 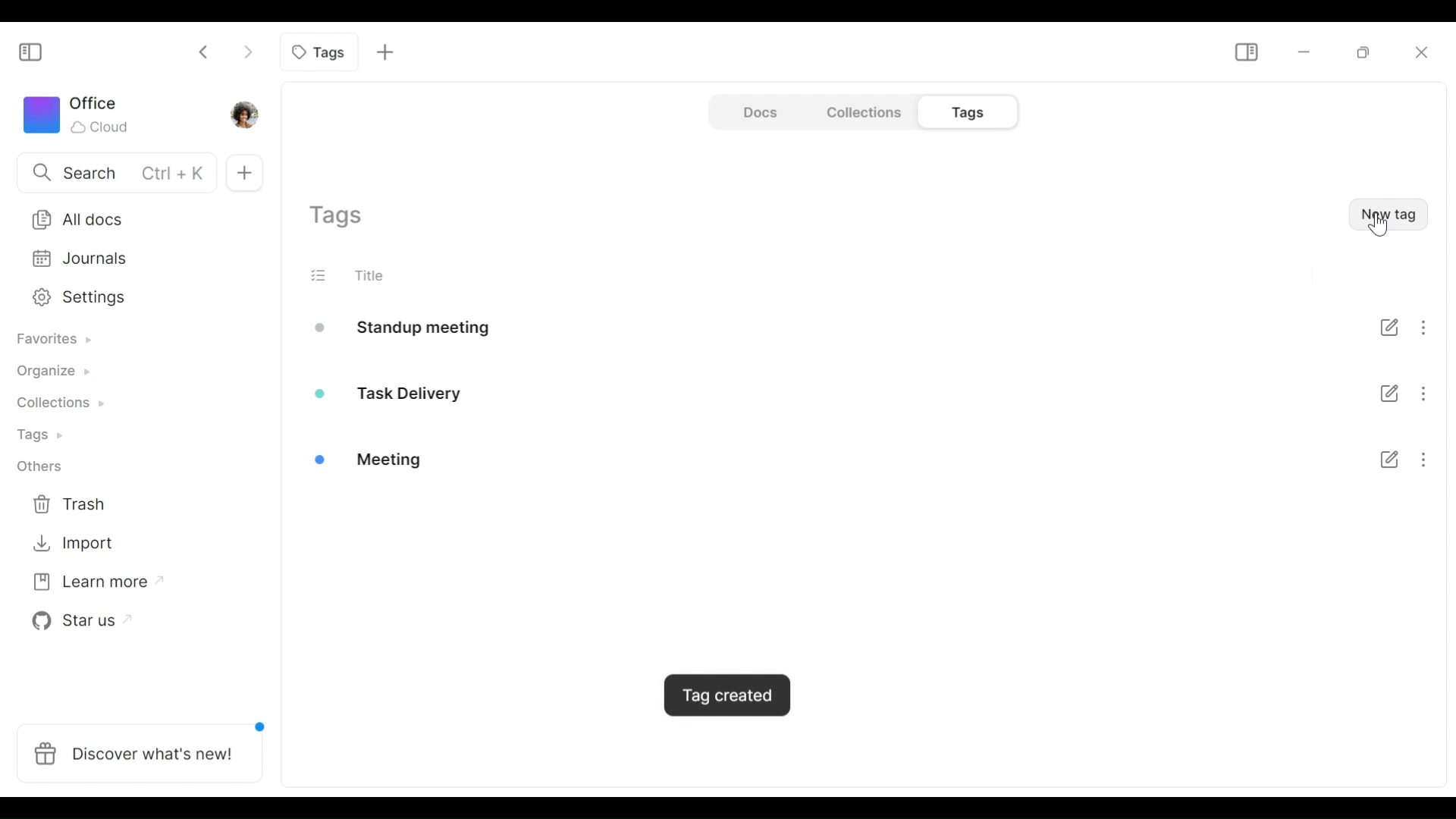 What do you see at coordinates (324, 275) in the screenshot?
I see `(un) select` at bounding box center [324, 275].